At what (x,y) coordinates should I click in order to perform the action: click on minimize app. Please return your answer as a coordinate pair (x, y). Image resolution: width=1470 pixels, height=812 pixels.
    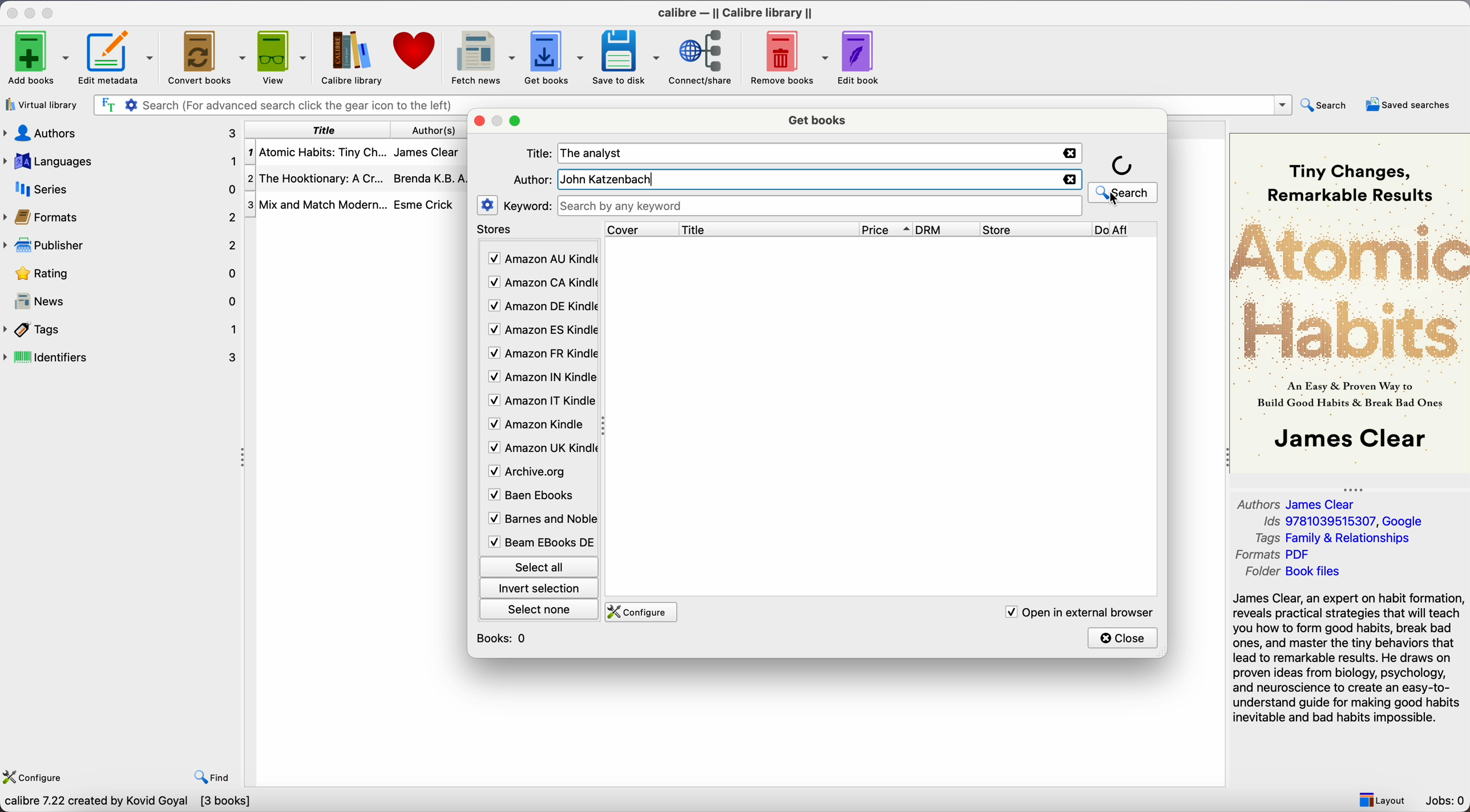
    Looking at the image, I should click on (32, 11).